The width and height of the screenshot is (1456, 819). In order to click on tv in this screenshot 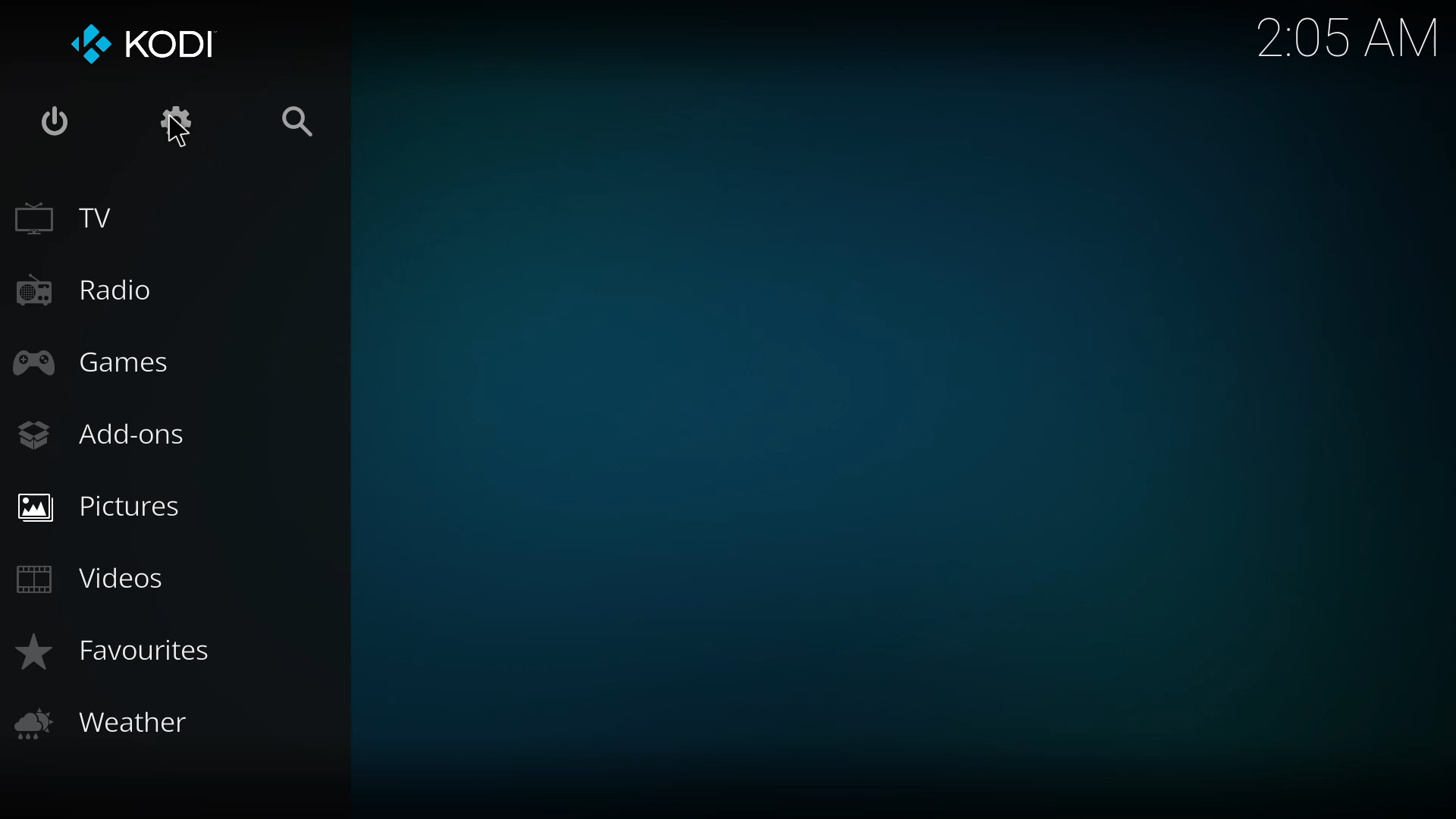, I will do `click(64, 216)`.